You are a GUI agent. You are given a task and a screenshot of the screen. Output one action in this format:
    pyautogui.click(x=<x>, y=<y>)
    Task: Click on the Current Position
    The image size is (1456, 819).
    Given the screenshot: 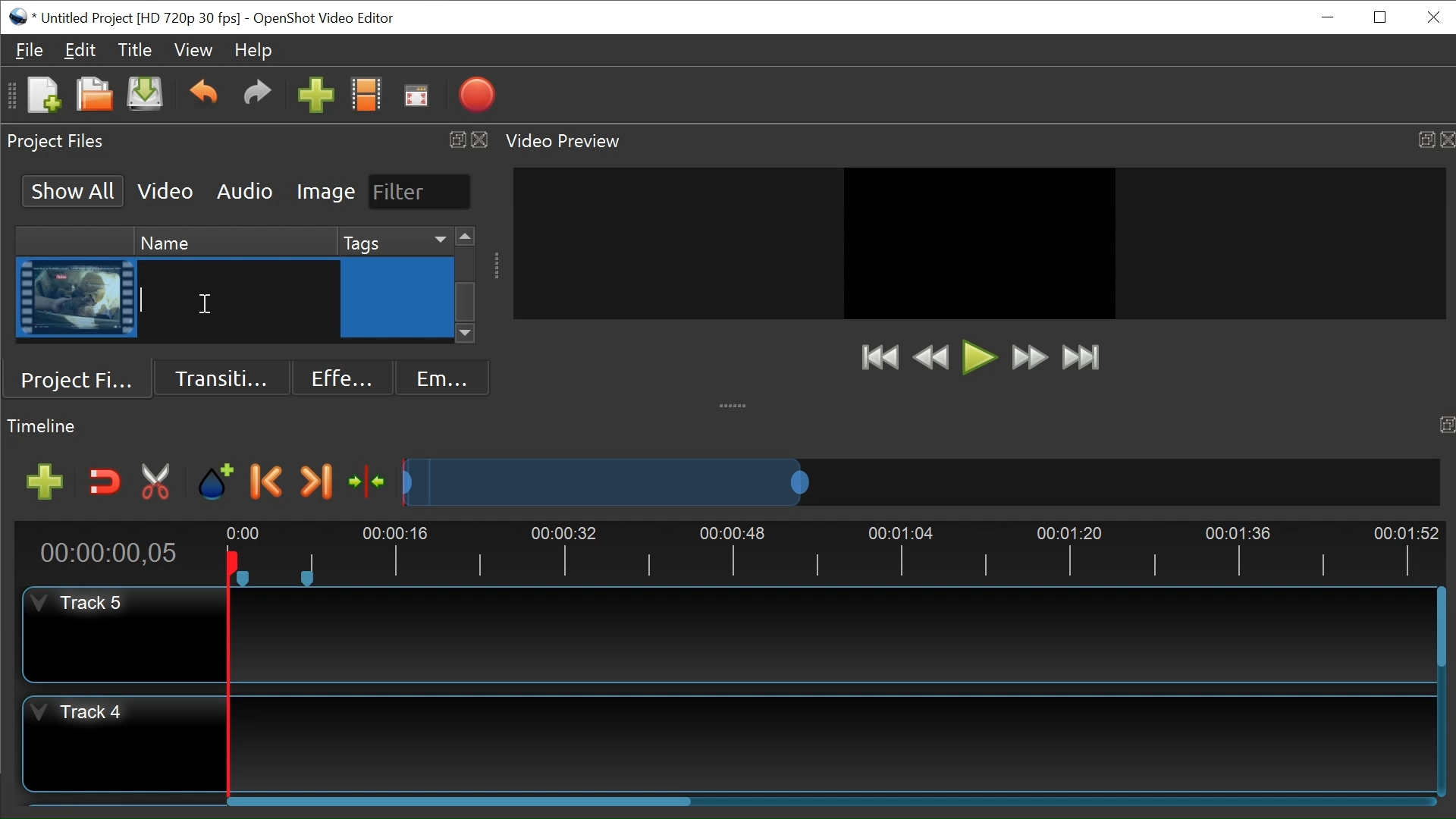 What is the action you would take?
    pyautogui.click(x=108, y=555)
    